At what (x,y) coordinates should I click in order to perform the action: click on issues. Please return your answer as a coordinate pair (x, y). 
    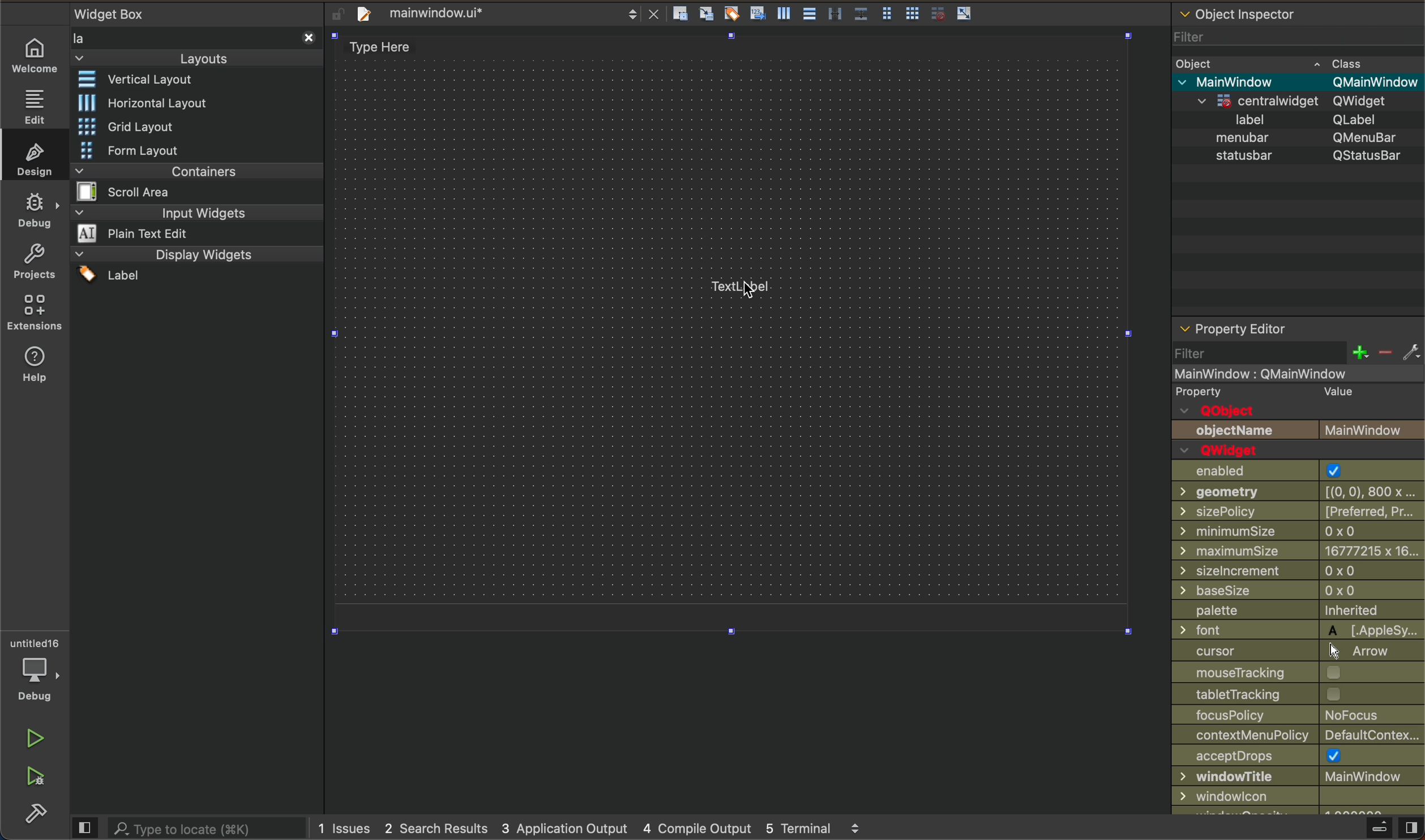
    Looking at the image, I should click on (348, 828).